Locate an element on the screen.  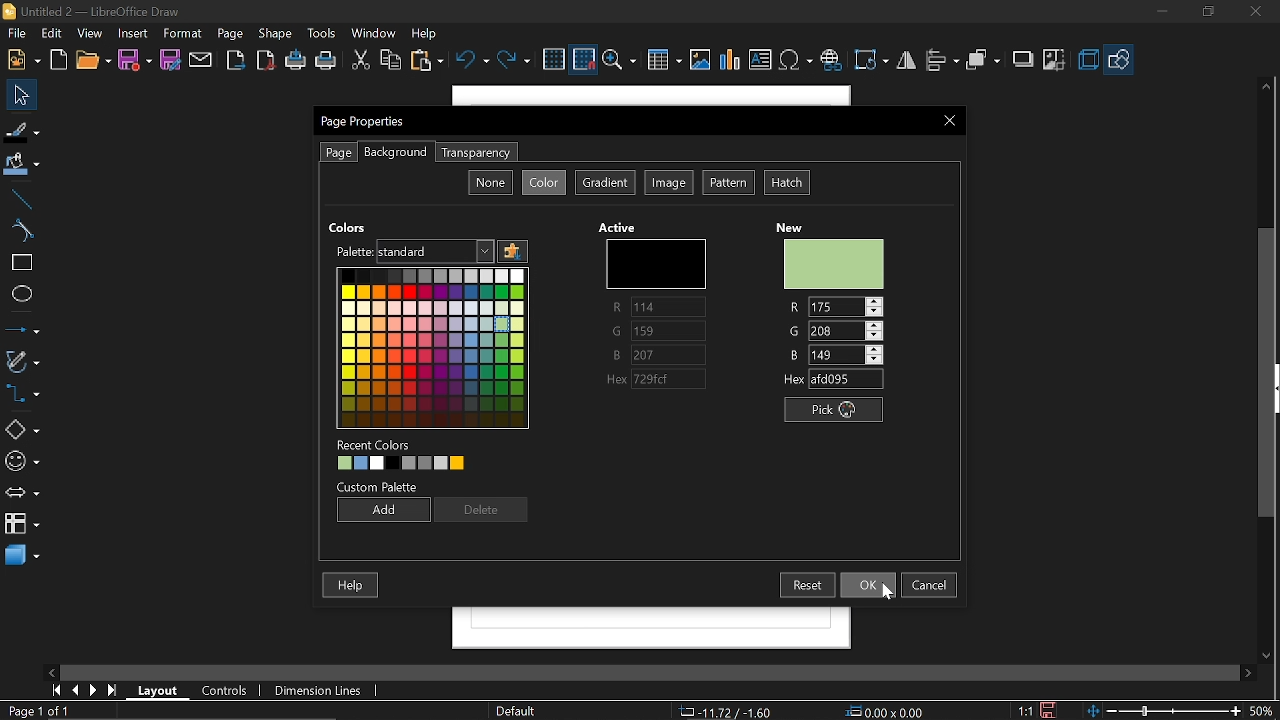
Pattern is located at coordinates (729, 183).